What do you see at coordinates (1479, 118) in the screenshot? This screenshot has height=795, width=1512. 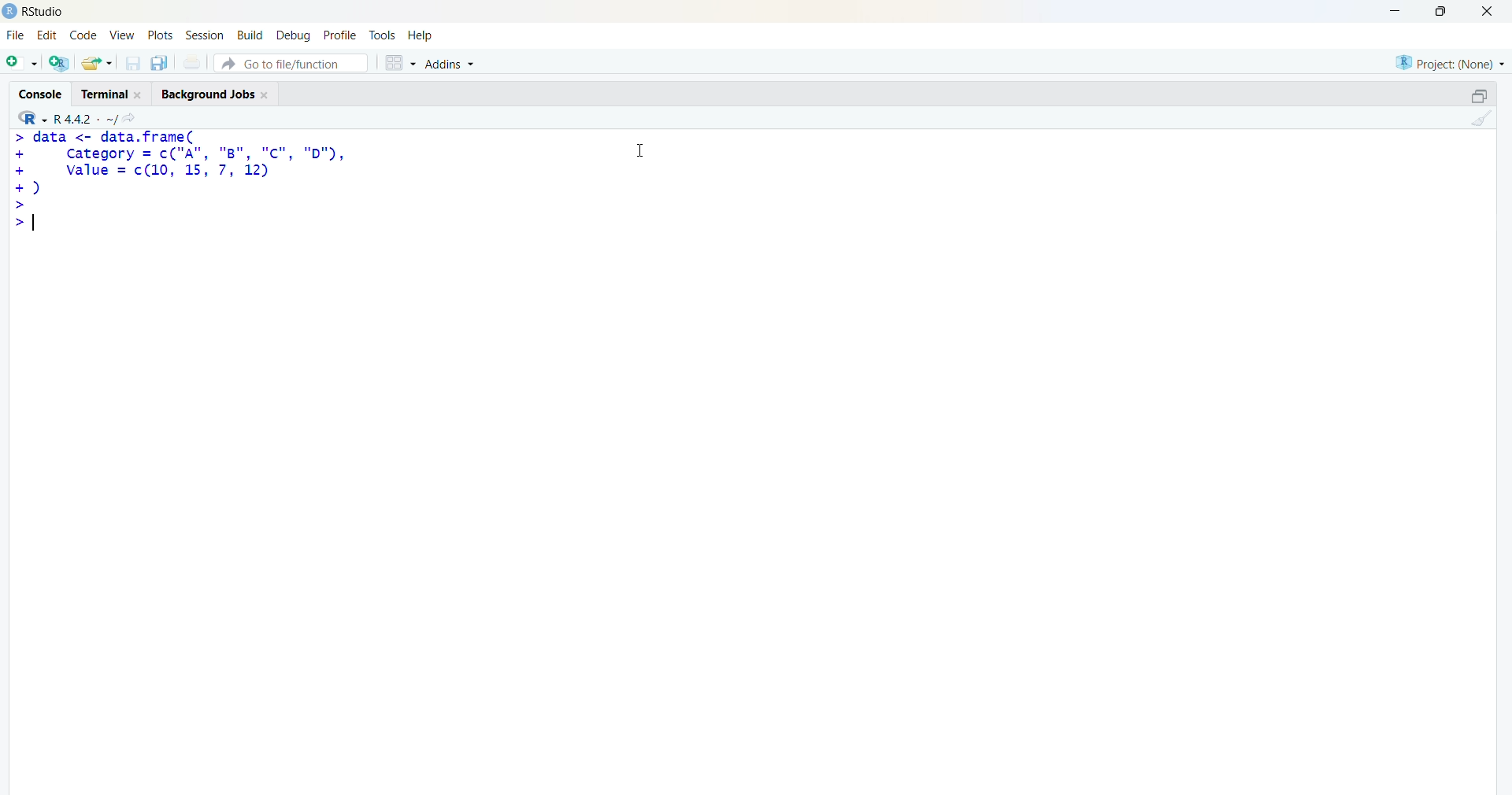 I see `clear console` at bounding box center [1479, 118].